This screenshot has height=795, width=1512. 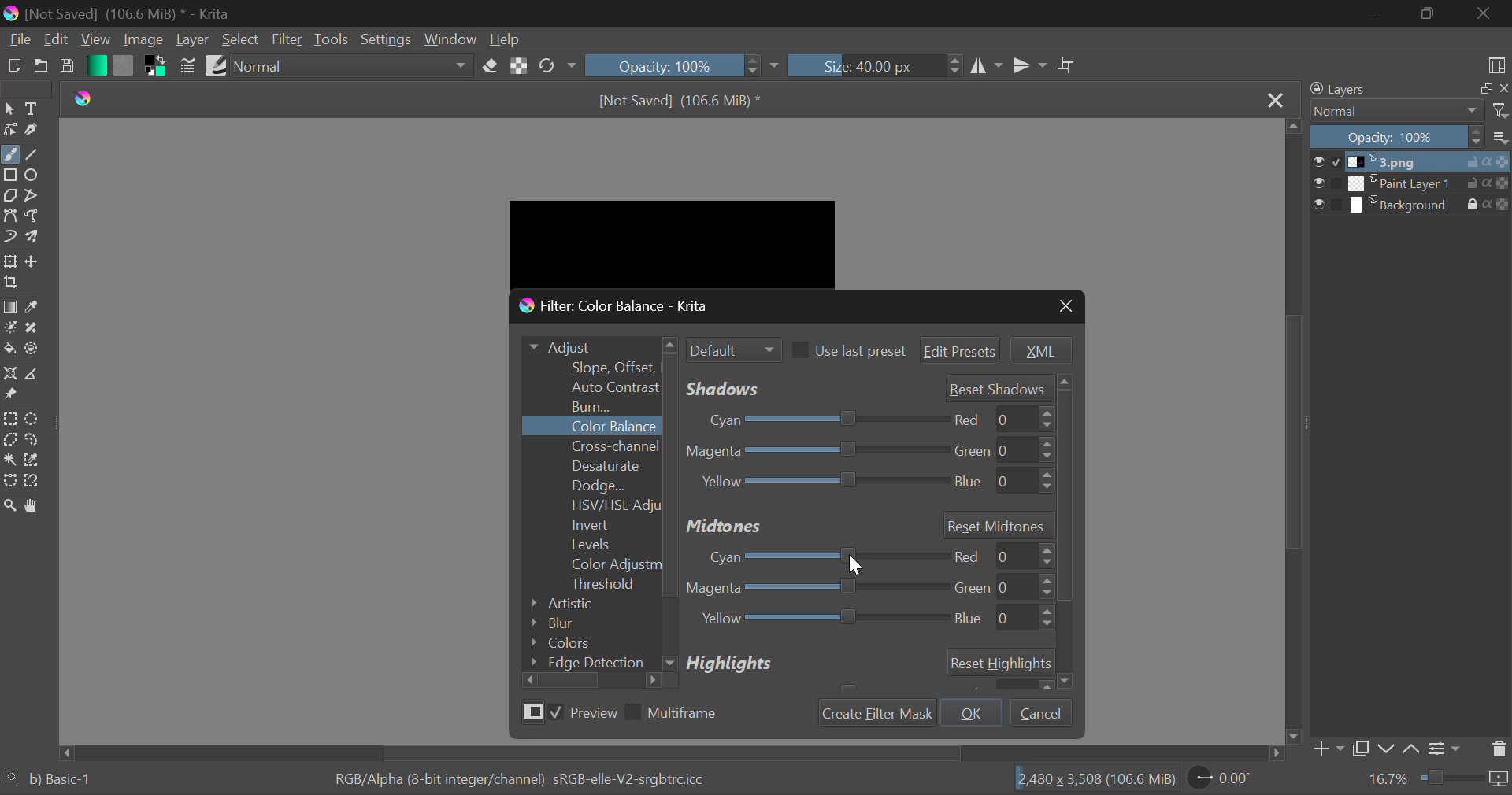 I want to click on Paint Layer 1, so click(x=1411, y=183).